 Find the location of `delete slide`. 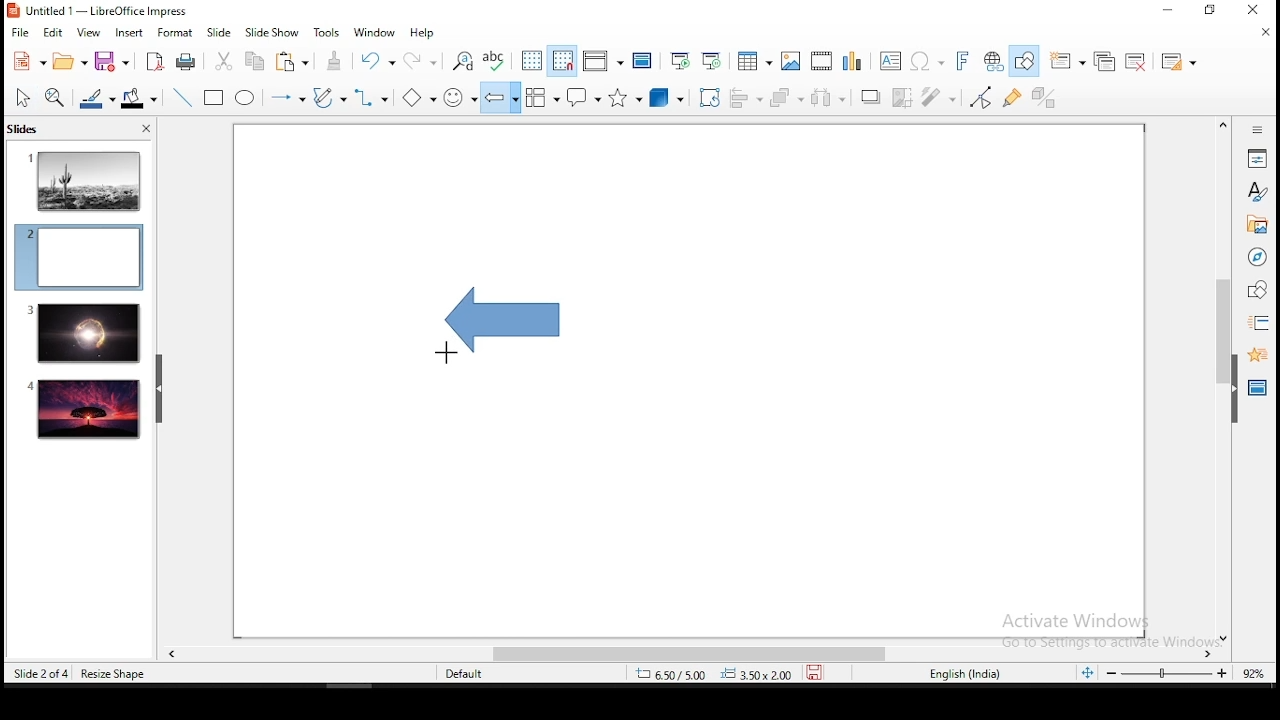

delete slide is located at coordinates (1139, 62).